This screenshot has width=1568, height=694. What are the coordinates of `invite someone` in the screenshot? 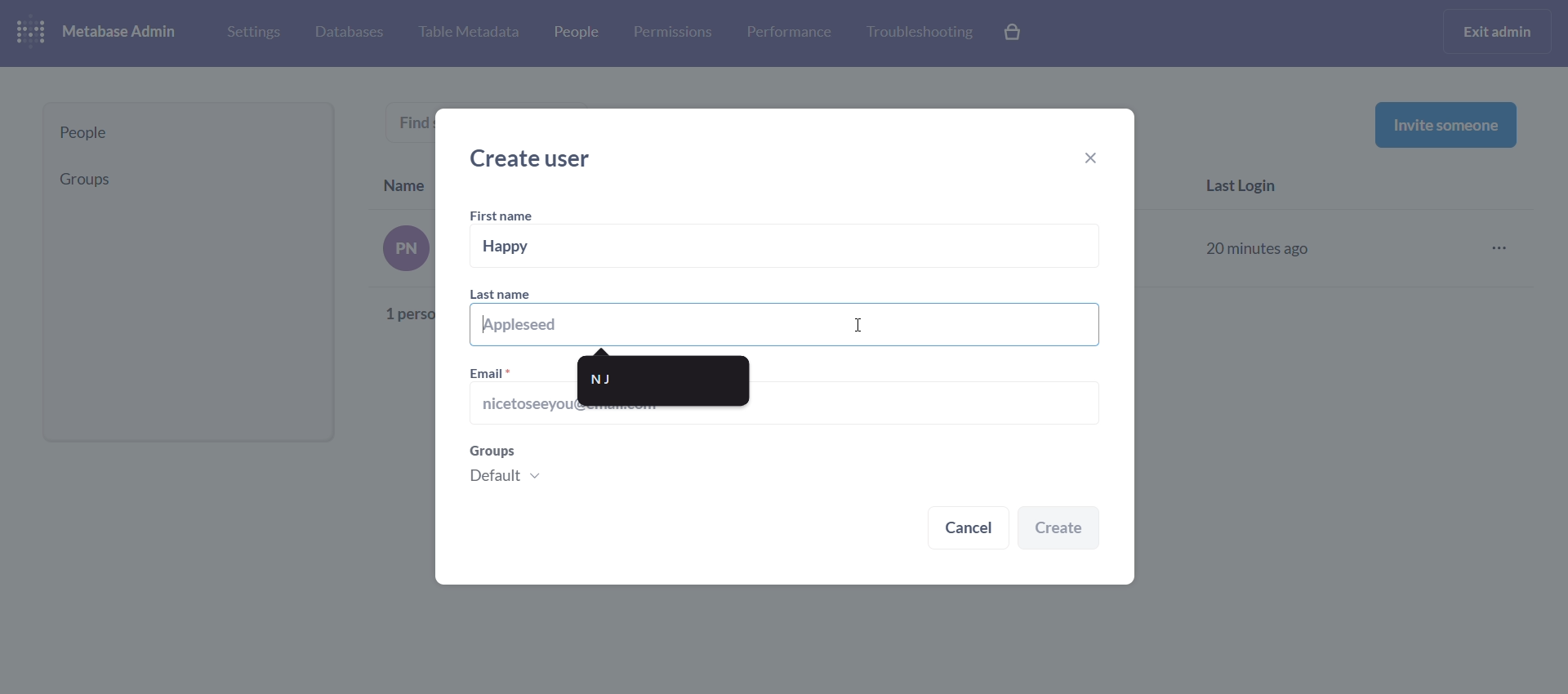 It's located at (1445, 124).